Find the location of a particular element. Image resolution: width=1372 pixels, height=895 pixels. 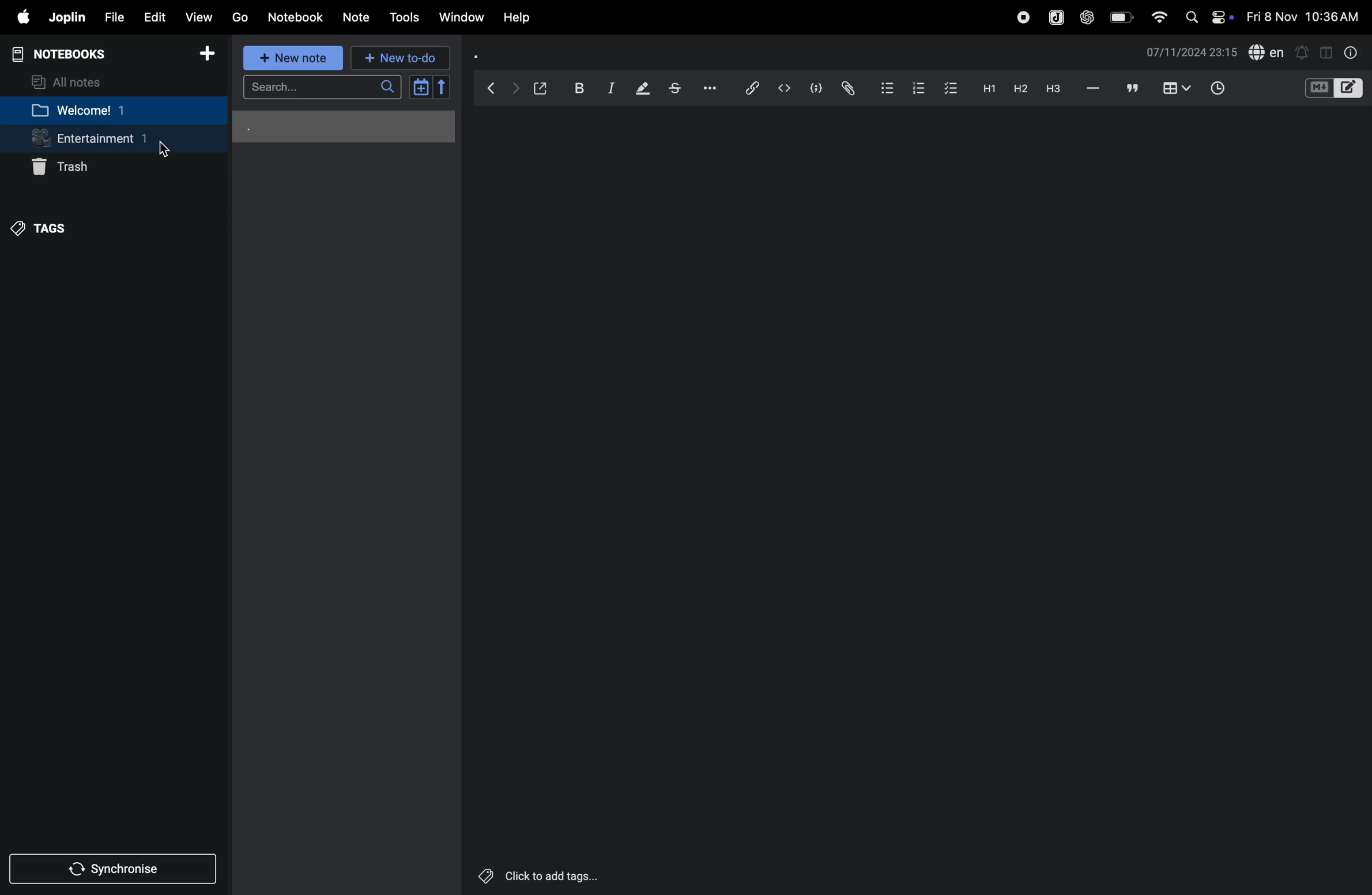

heading 3 is located at coordinates (1050, 92).